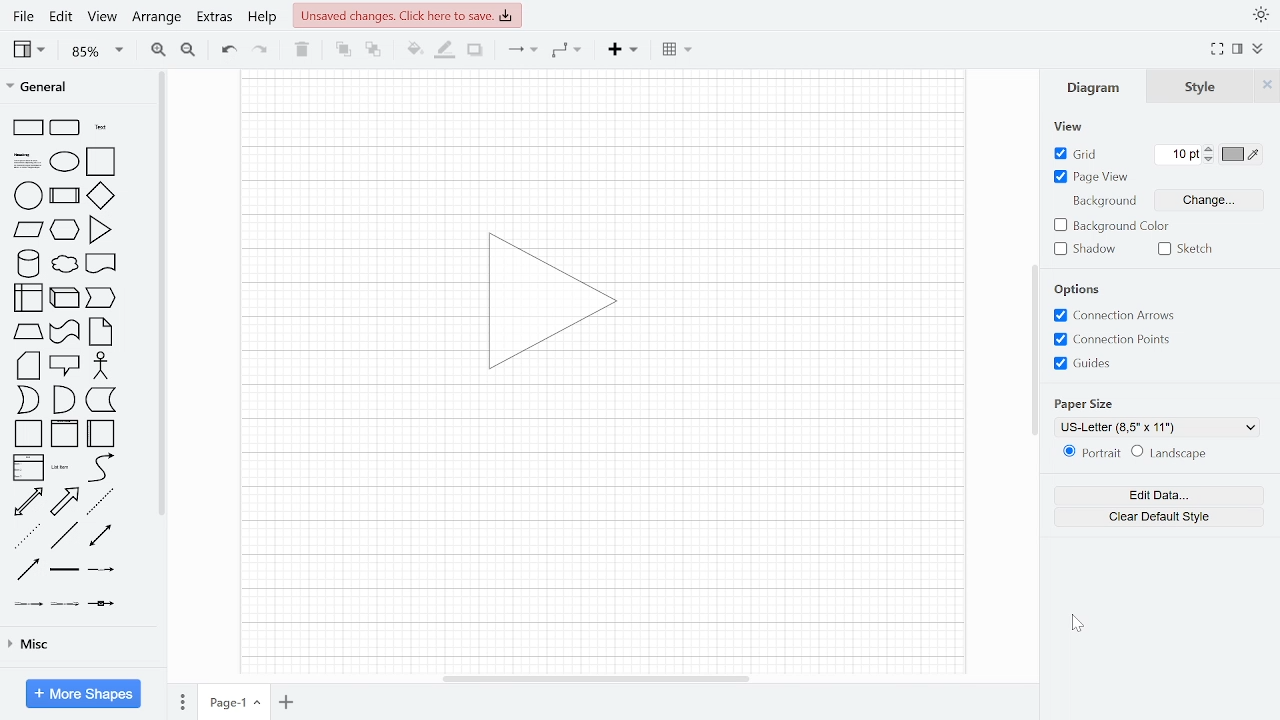  Describe the element at coordinates (1267, 86) in the screenshot. I see `Close` at that location.